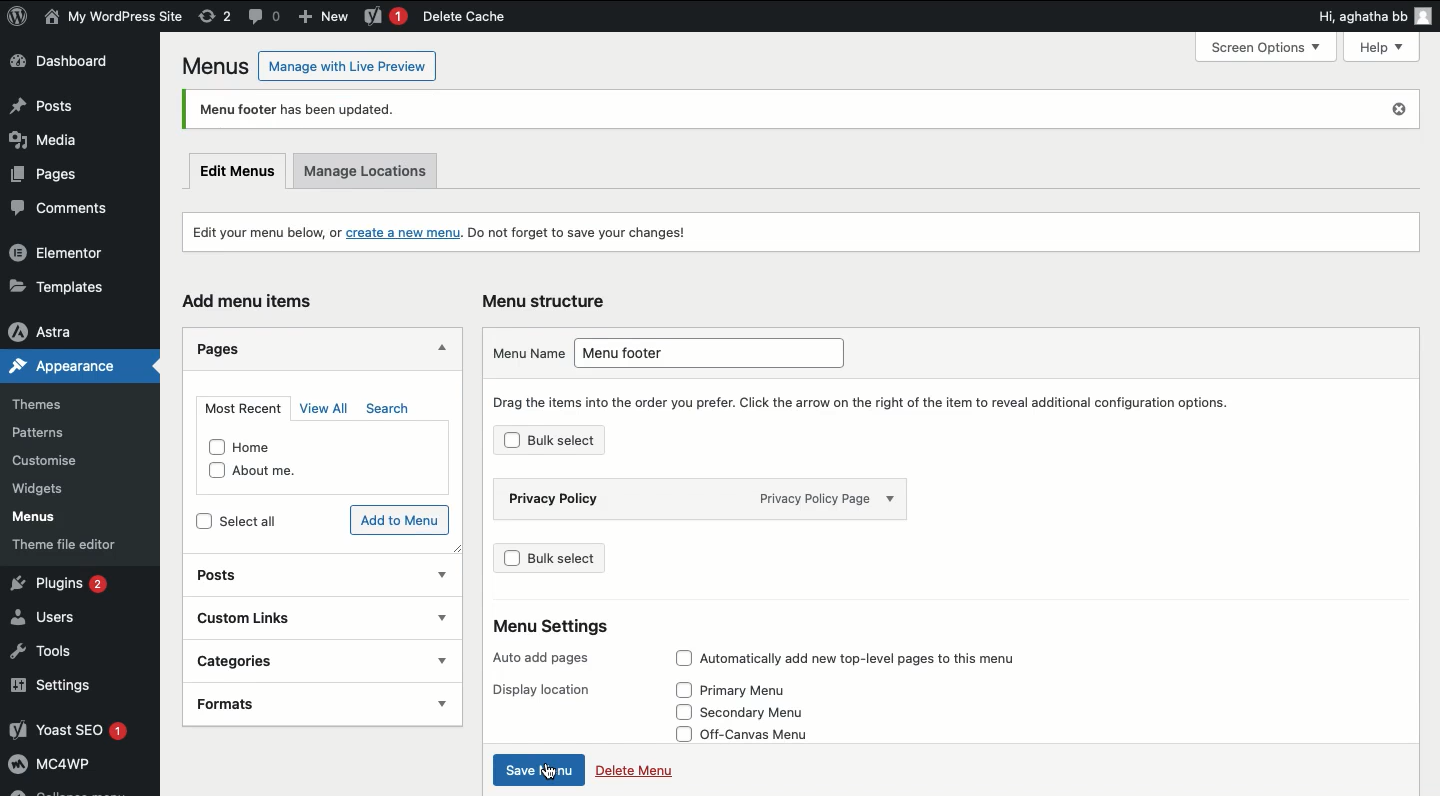 The image size is (1440, 796). What do you see at coordinates (769, 690) in the screenshot?
I see ` Primary Menu` at bounding box center [769, 690].